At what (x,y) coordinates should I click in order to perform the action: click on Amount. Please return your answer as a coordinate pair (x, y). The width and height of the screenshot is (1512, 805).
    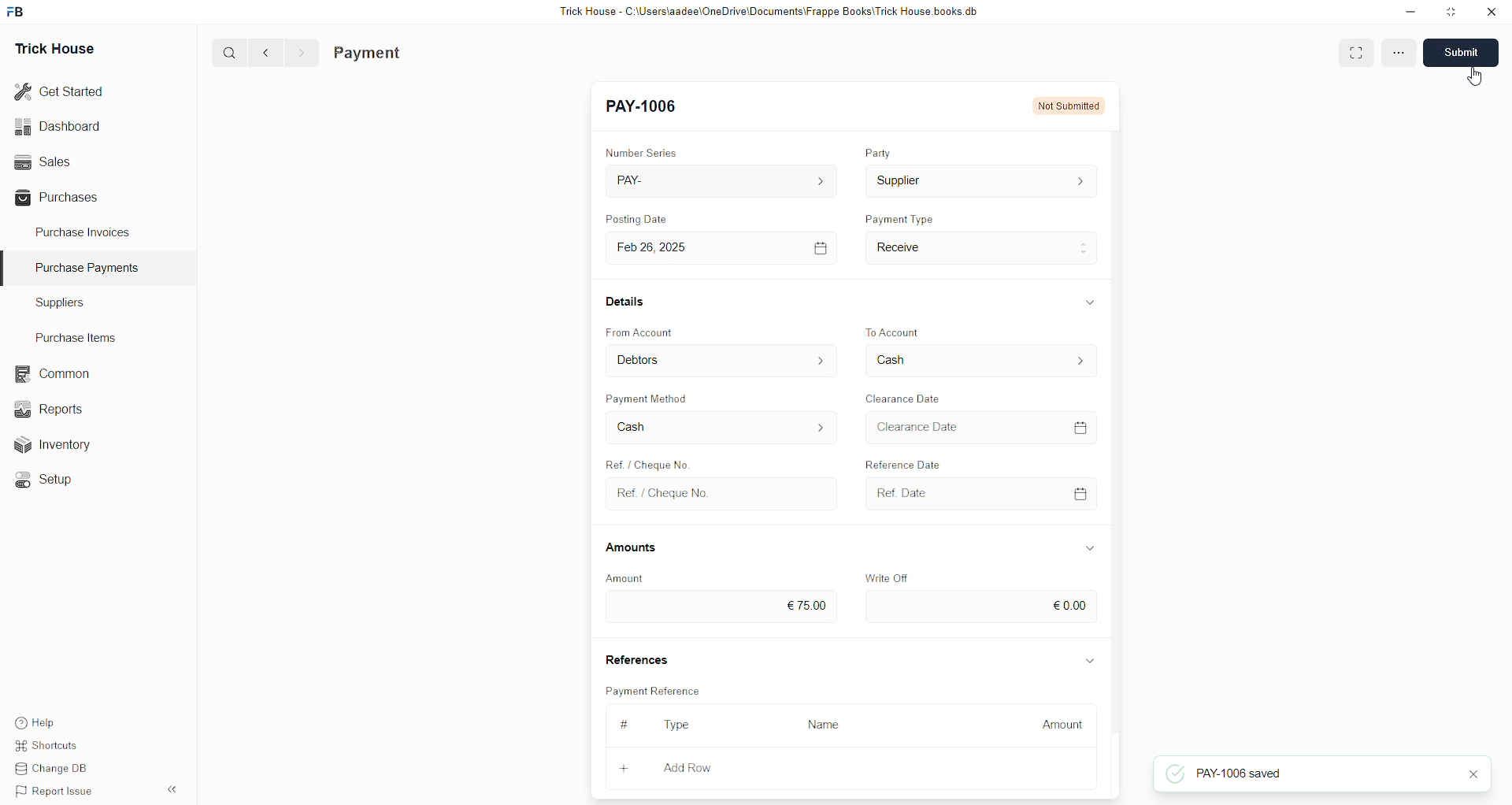
    Looking at the image, I should click on (634, 577).